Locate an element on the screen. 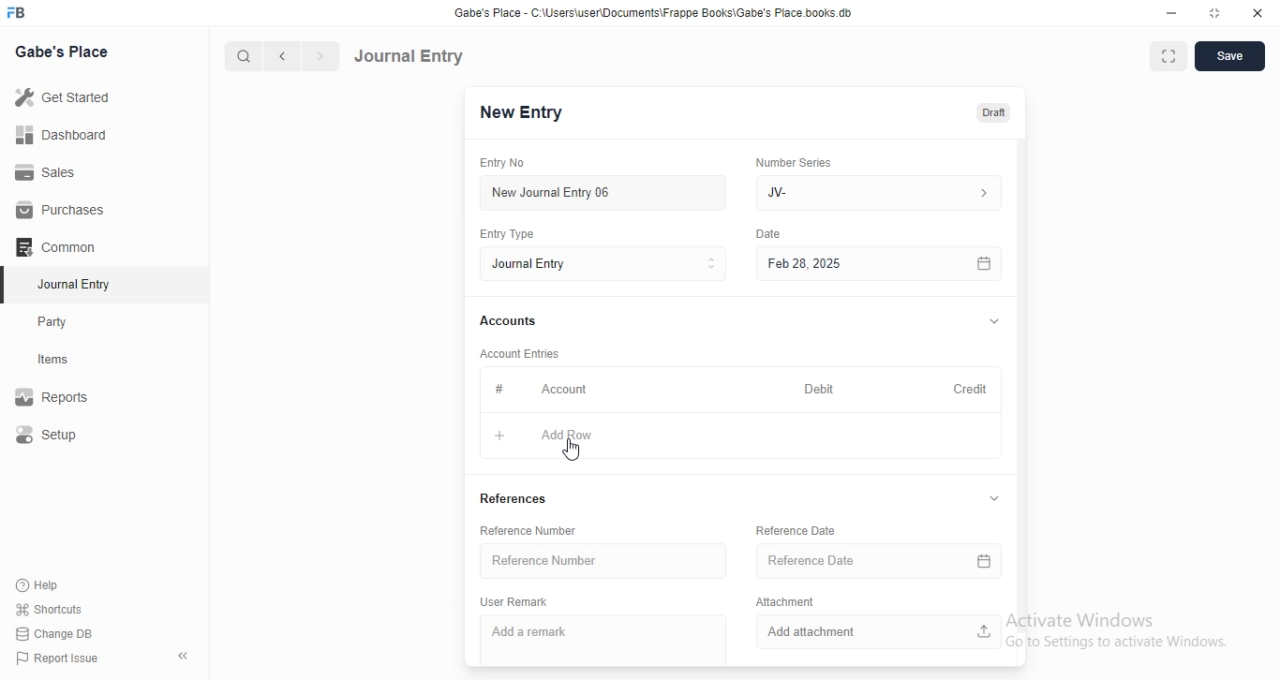   is located at coordinates (771, 236).